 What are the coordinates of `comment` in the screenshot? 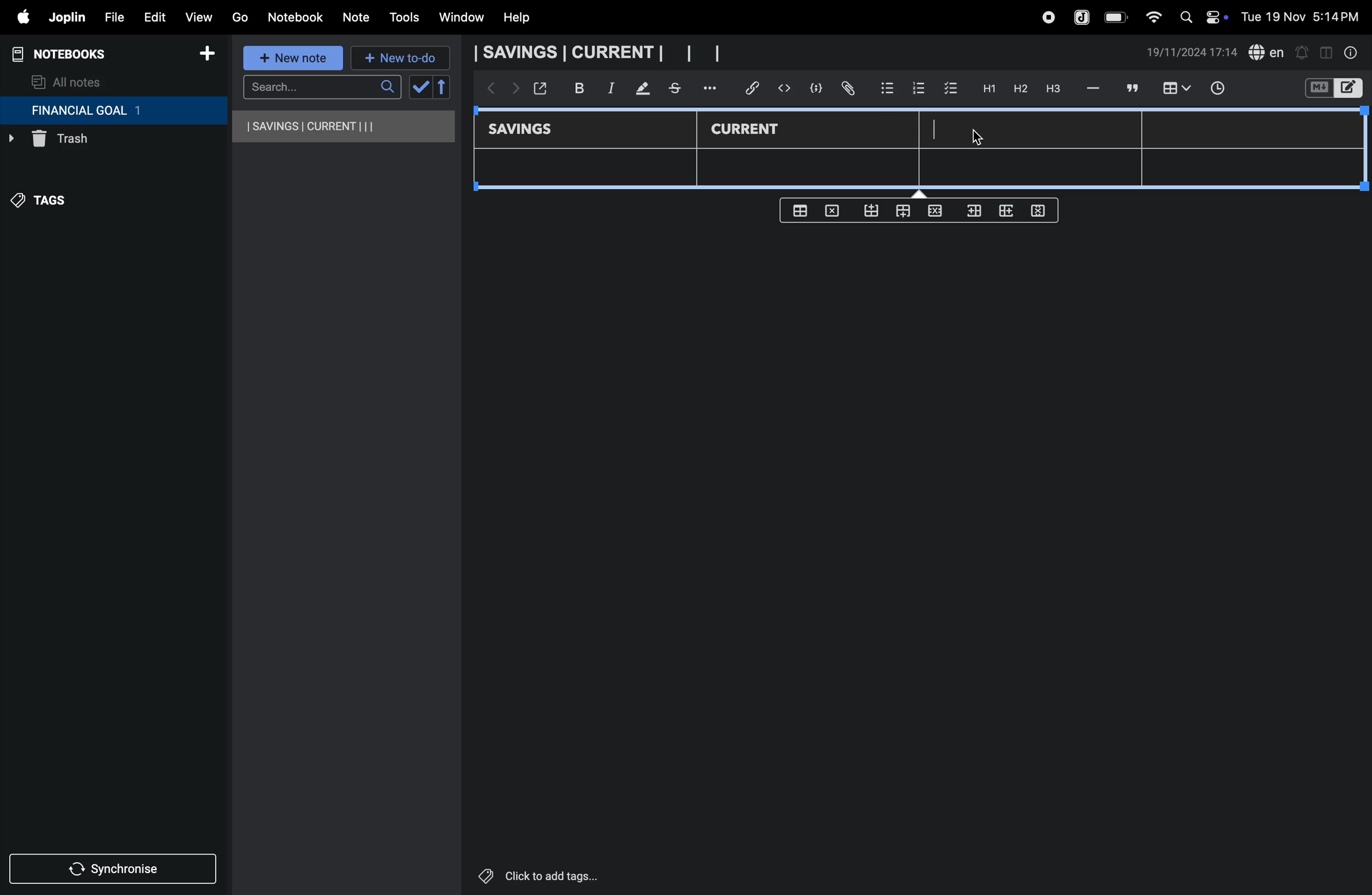 It's located at (1130, 88).